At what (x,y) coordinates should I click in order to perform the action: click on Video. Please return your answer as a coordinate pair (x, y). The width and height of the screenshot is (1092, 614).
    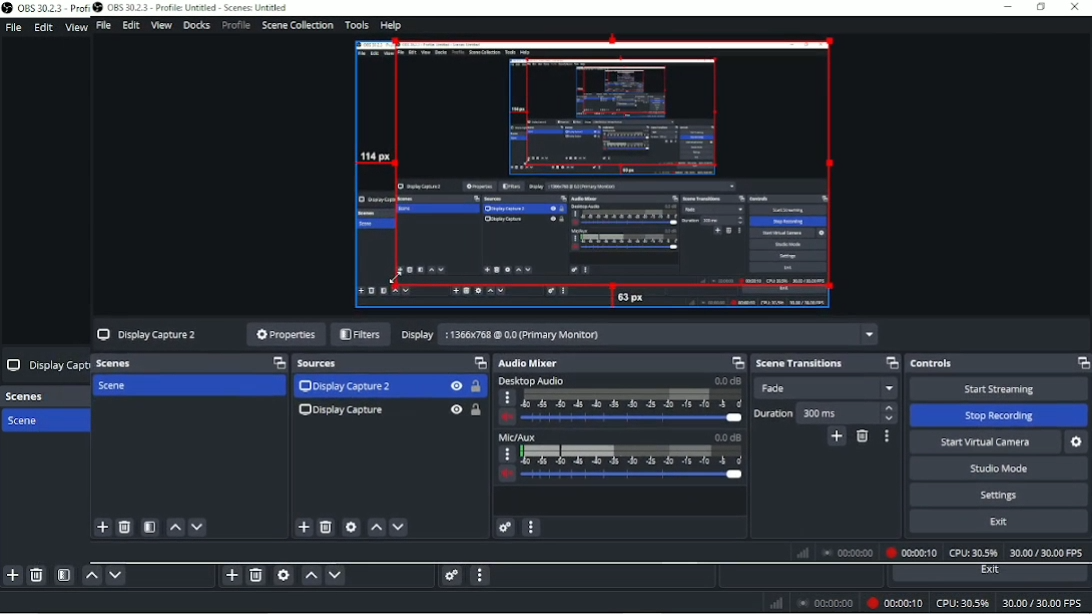
    Looking at the image, I should click on (589, 175).